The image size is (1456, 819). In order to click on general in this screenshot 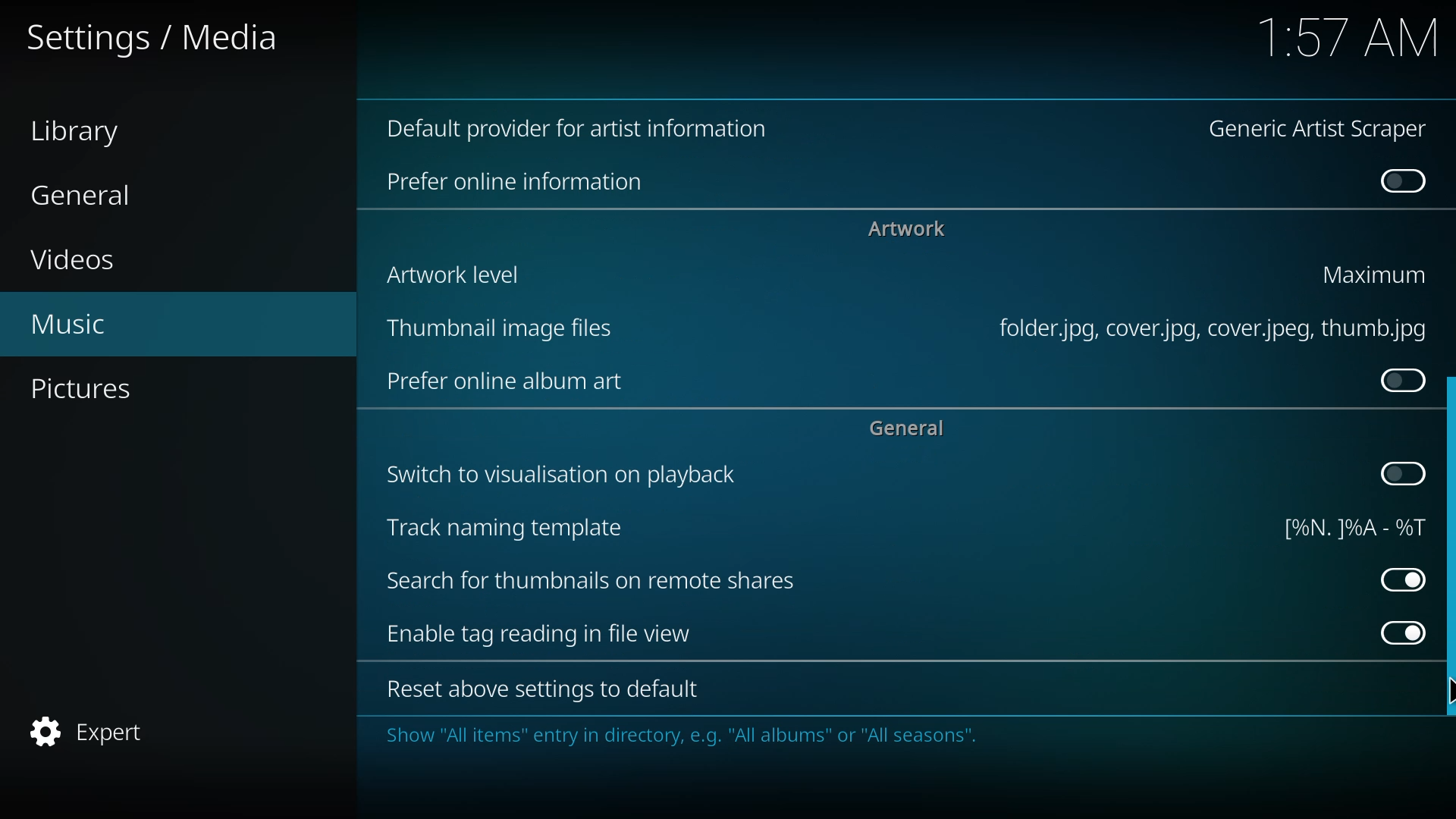, I will do `click(906, 429)`.